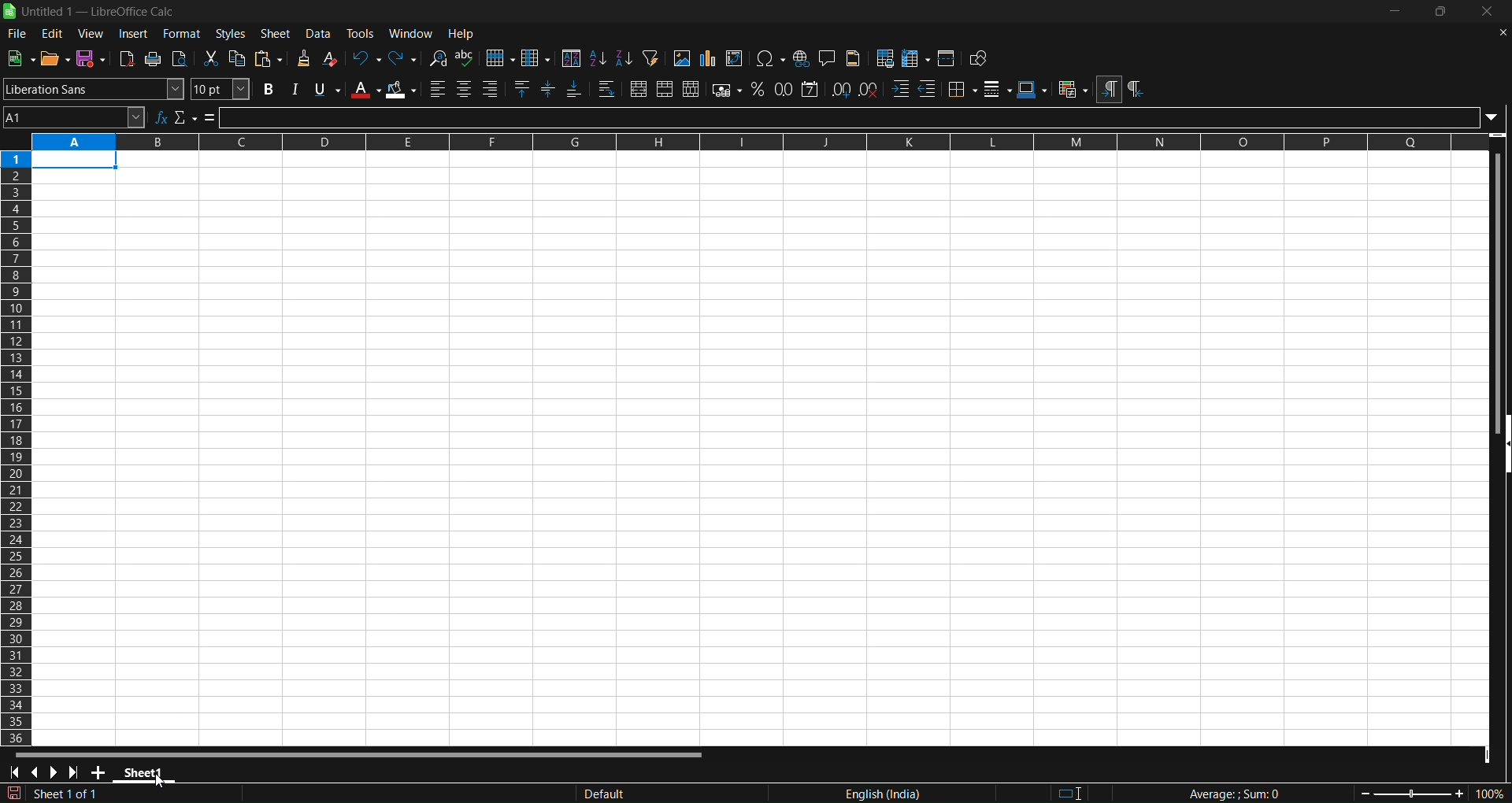 This screenshot has width=1512, height=803. Describe the element at coordinates (277, 33) in the screenshot. I see `sheet` at that location.